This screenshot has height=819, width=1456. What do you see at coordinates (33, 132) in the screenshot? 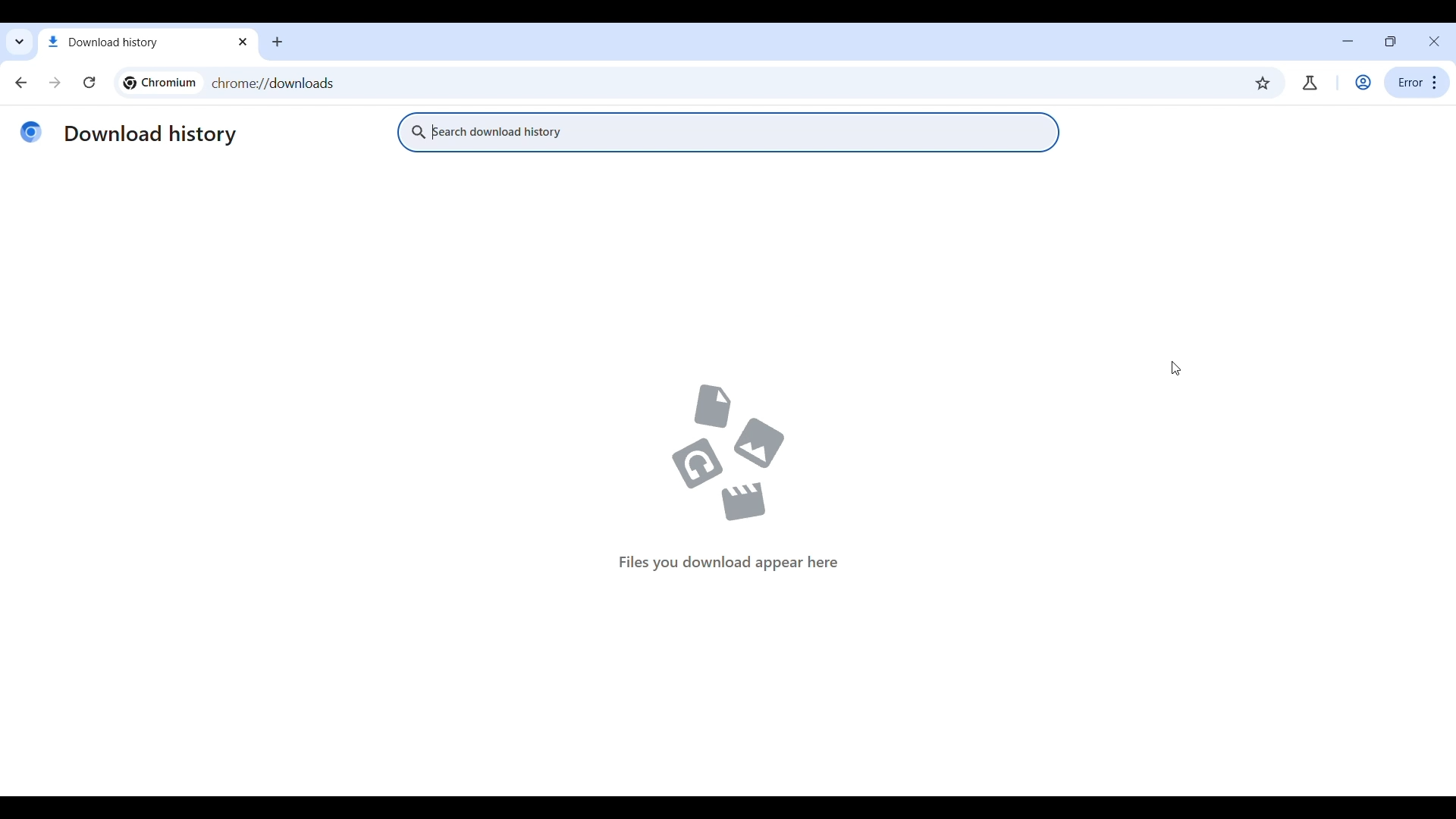
I see `Chromium logo` at bounding box center [33, 132].